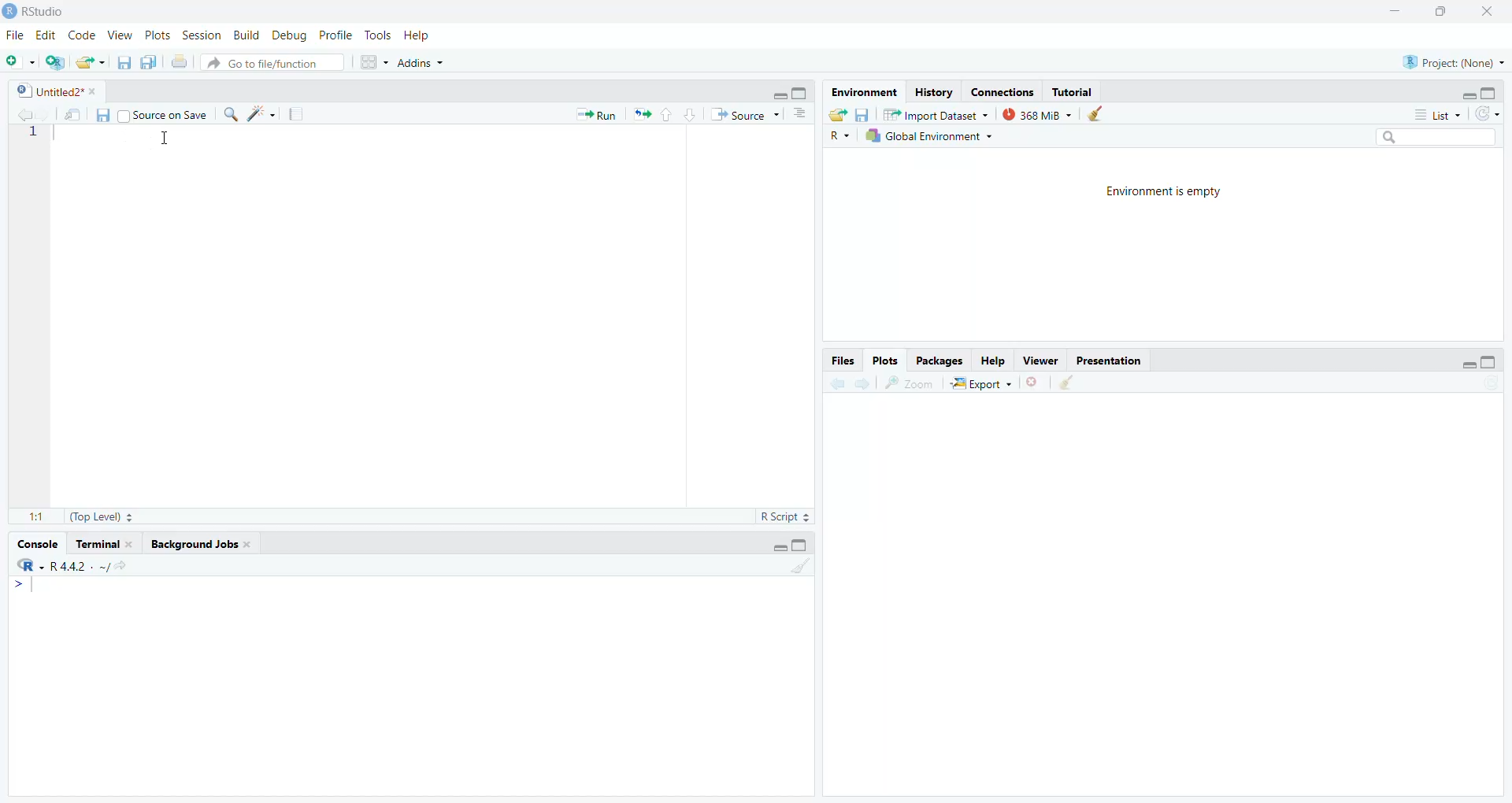  What do you see at coordinates (1038, 361) in the screenshot?
I see `Viewer` at bounding box center [1038, 361].